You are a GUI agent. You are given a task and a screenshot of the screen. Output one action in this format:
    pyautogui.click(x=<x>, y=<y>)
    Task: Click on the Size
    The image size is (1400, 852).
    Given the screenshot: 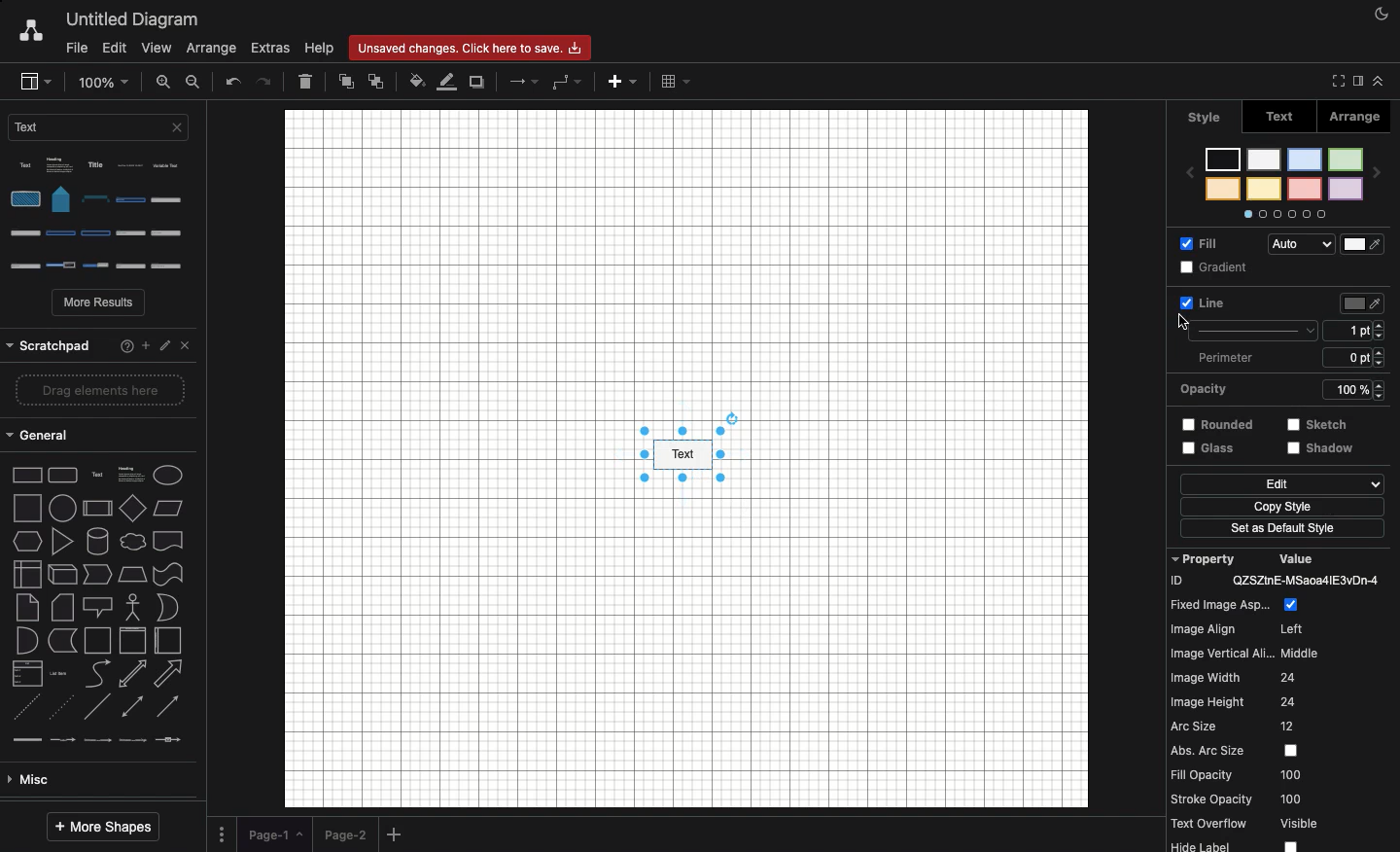 What is the action you would take?
    pyautogui.click(x=1358, y=301)
    